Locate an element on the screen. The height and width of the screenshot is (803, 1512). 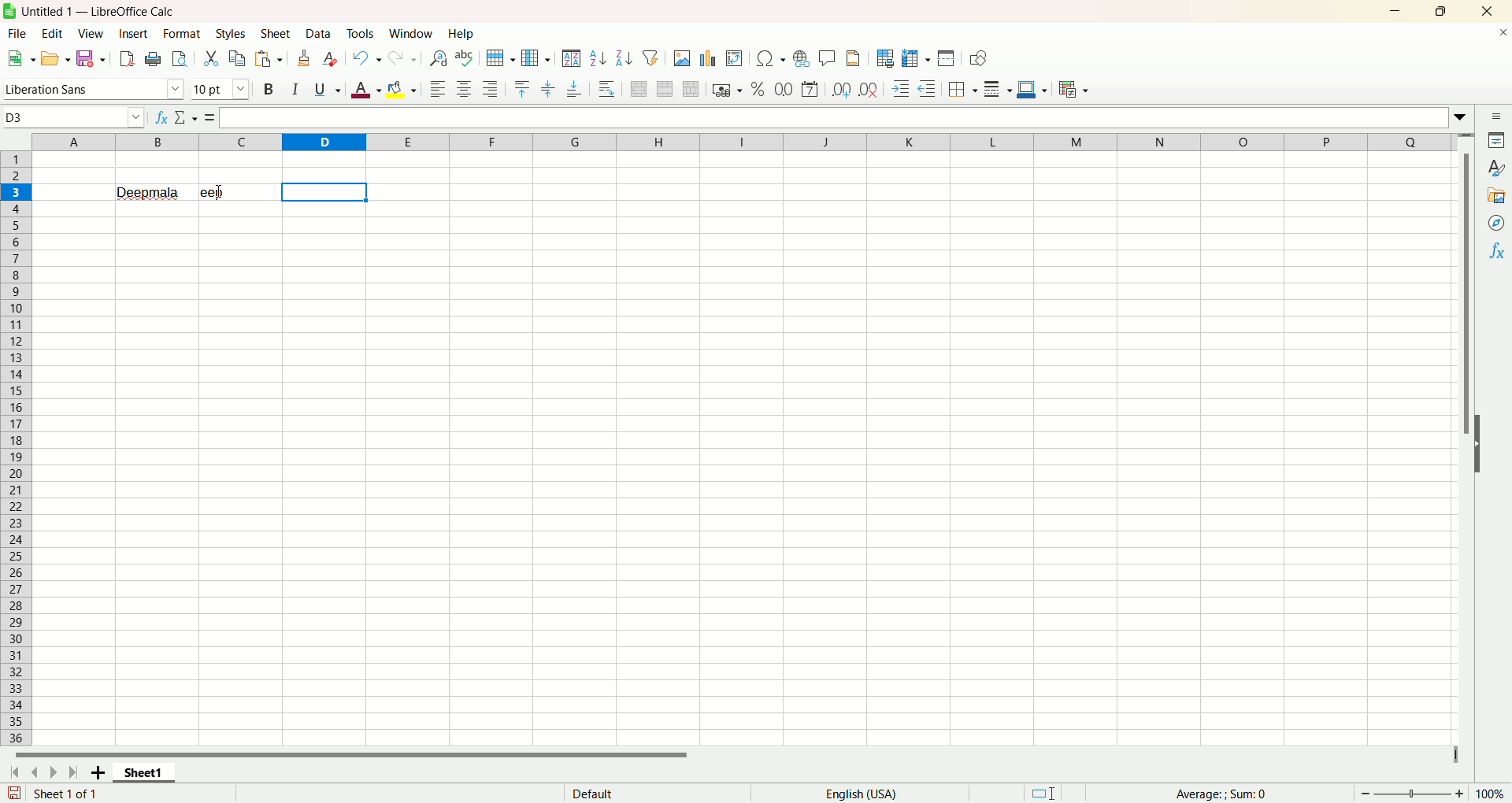
Border style is located at coordinates (997, 90).